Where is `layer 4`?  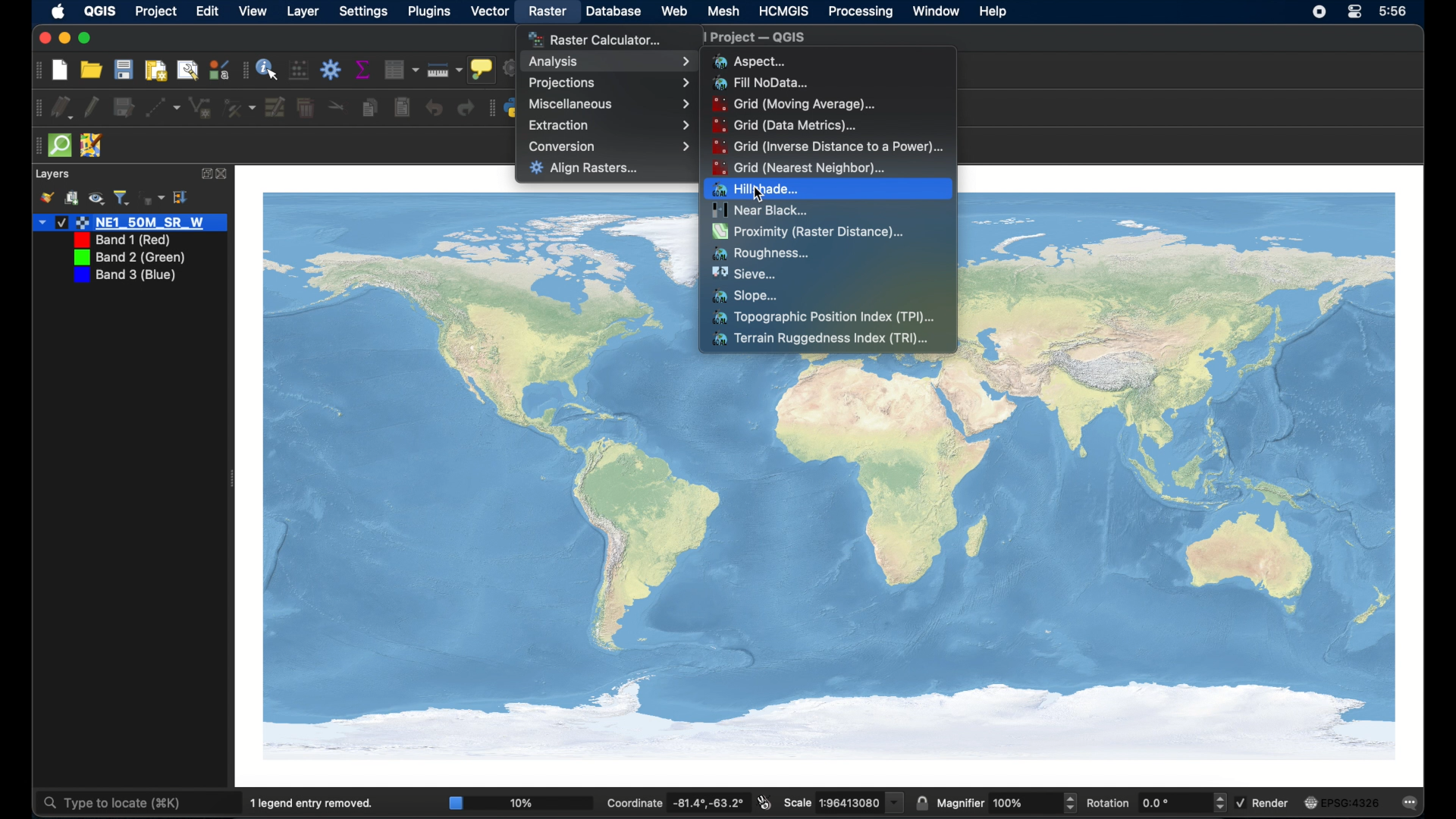
layer 4 is located at coordinates (124, 276).